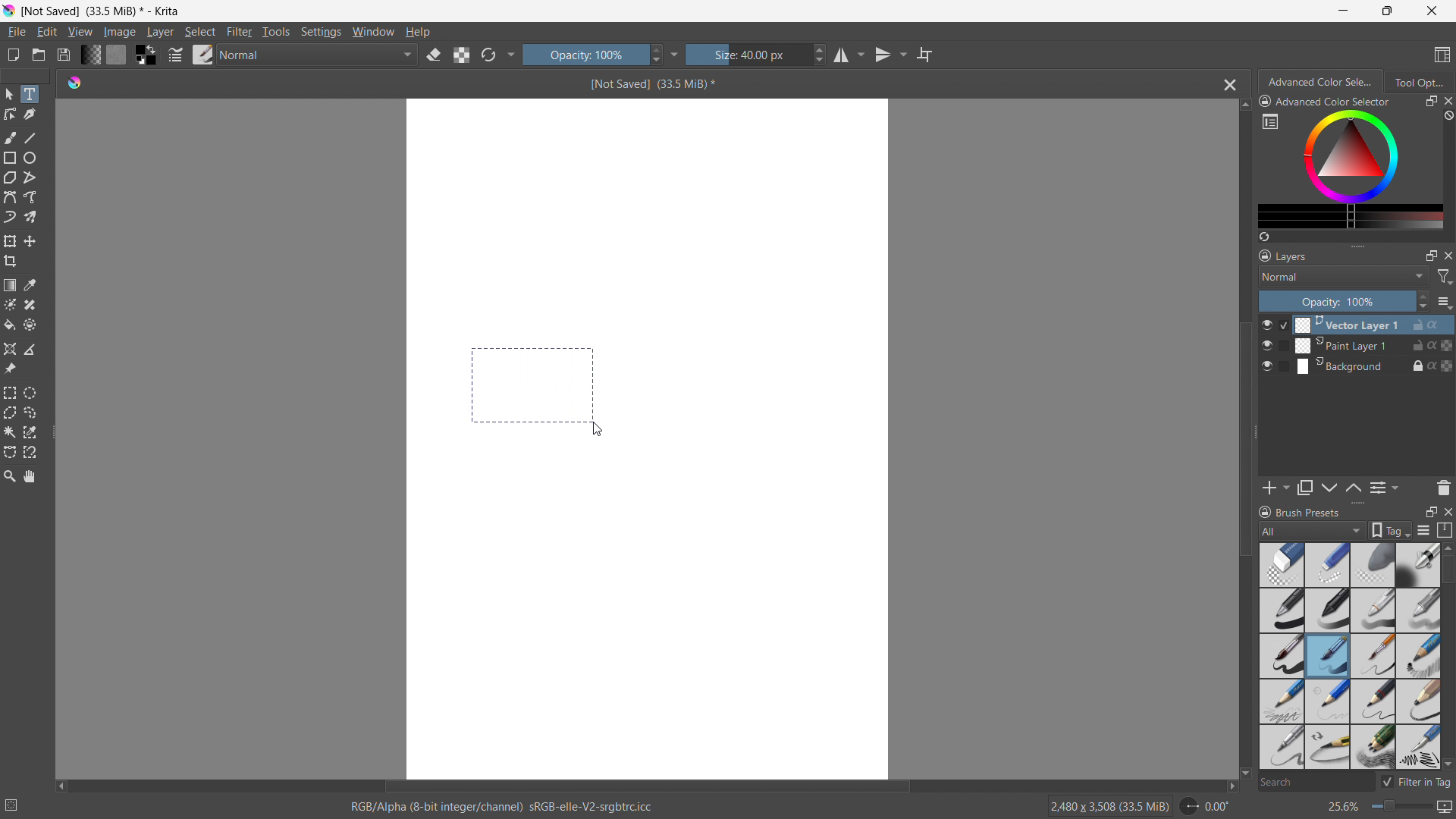 The image size is (1456, 819). What do you see at coordinates (30, 393) in the screenshot?
I see `elliptical selection tool` at bounding box center [30, 393].